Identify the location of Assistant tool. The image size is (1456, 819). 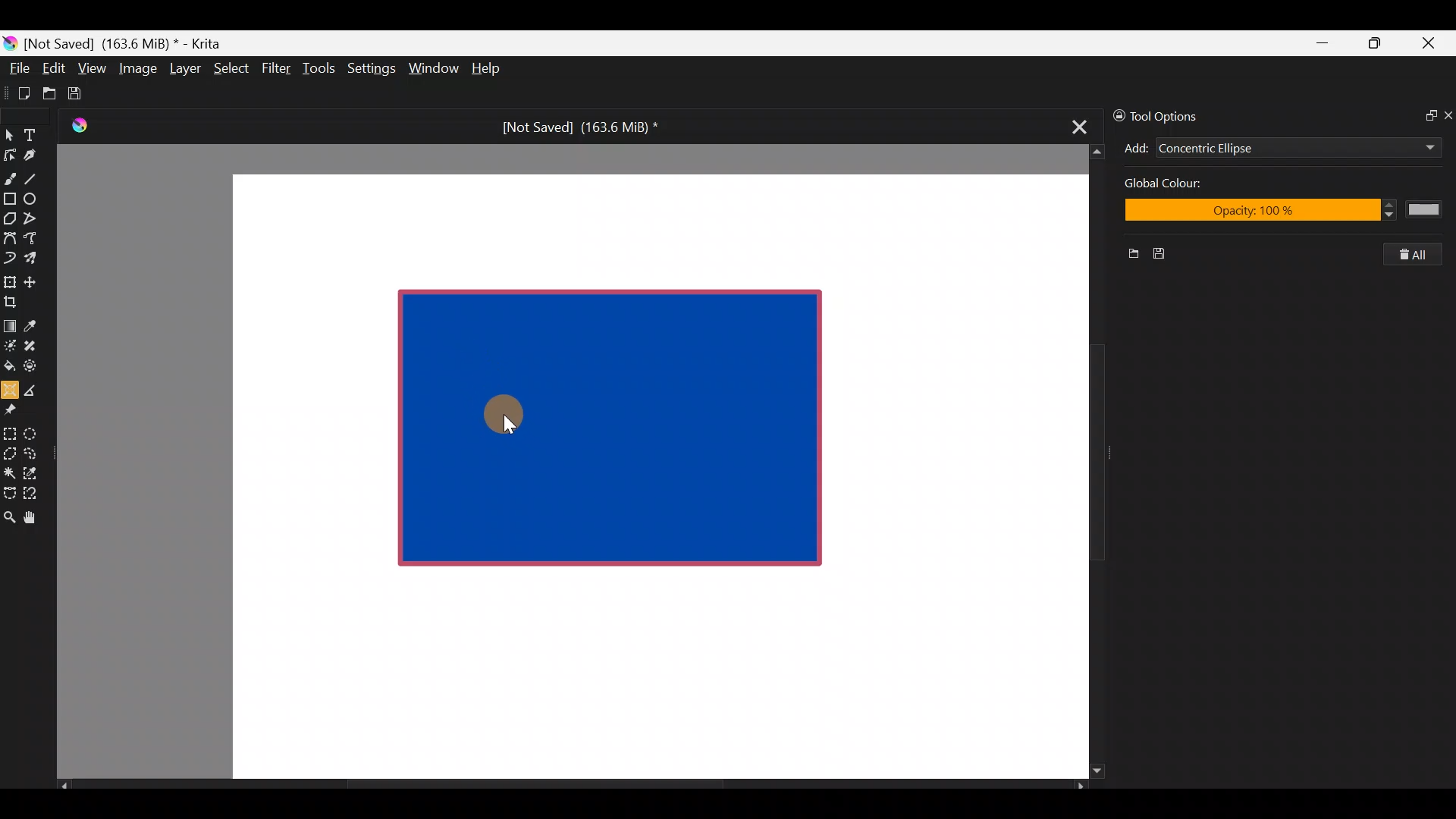
(9, 385).